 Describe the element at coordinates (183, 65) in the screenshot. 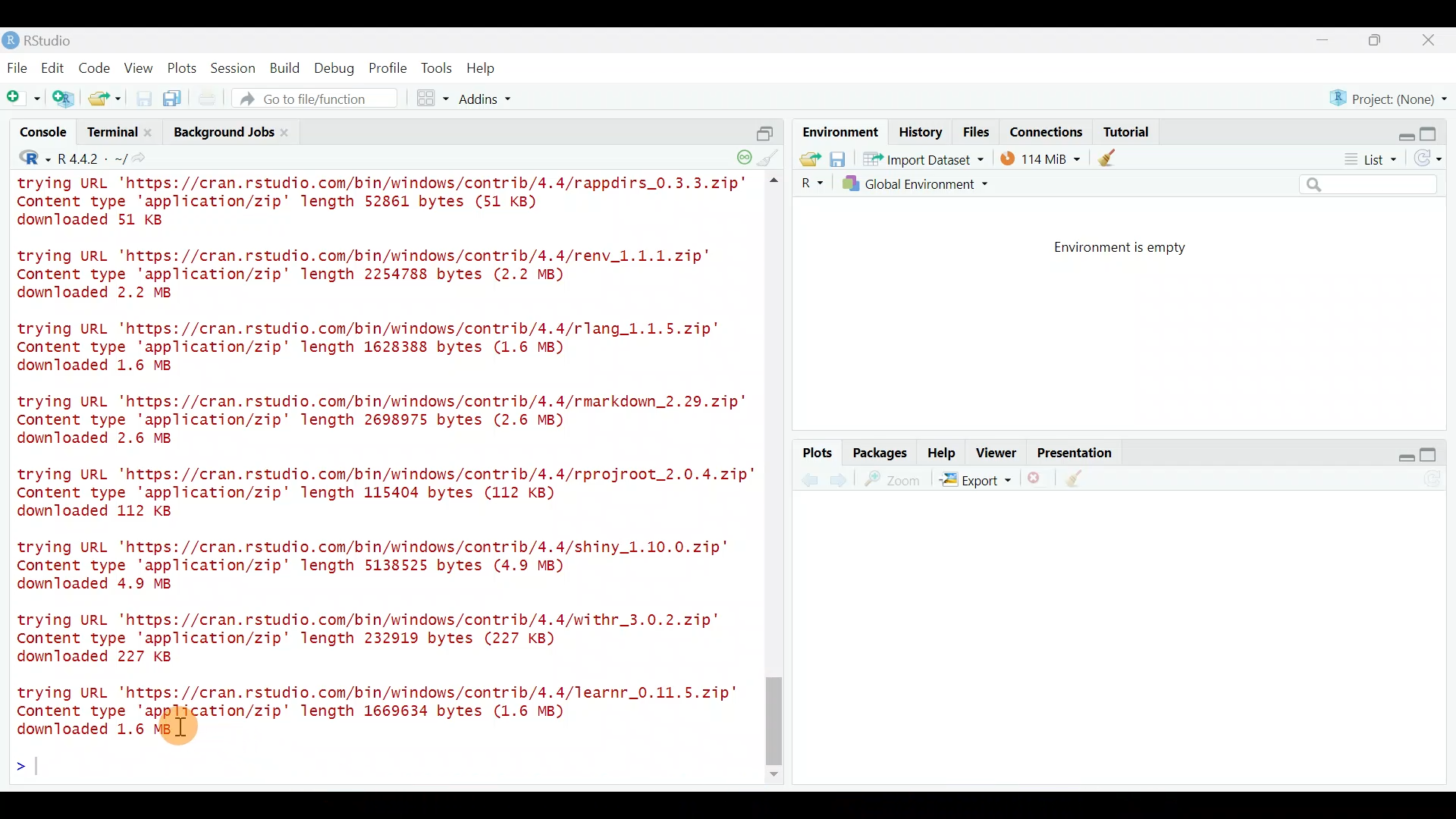

I see `Plots` at that location.